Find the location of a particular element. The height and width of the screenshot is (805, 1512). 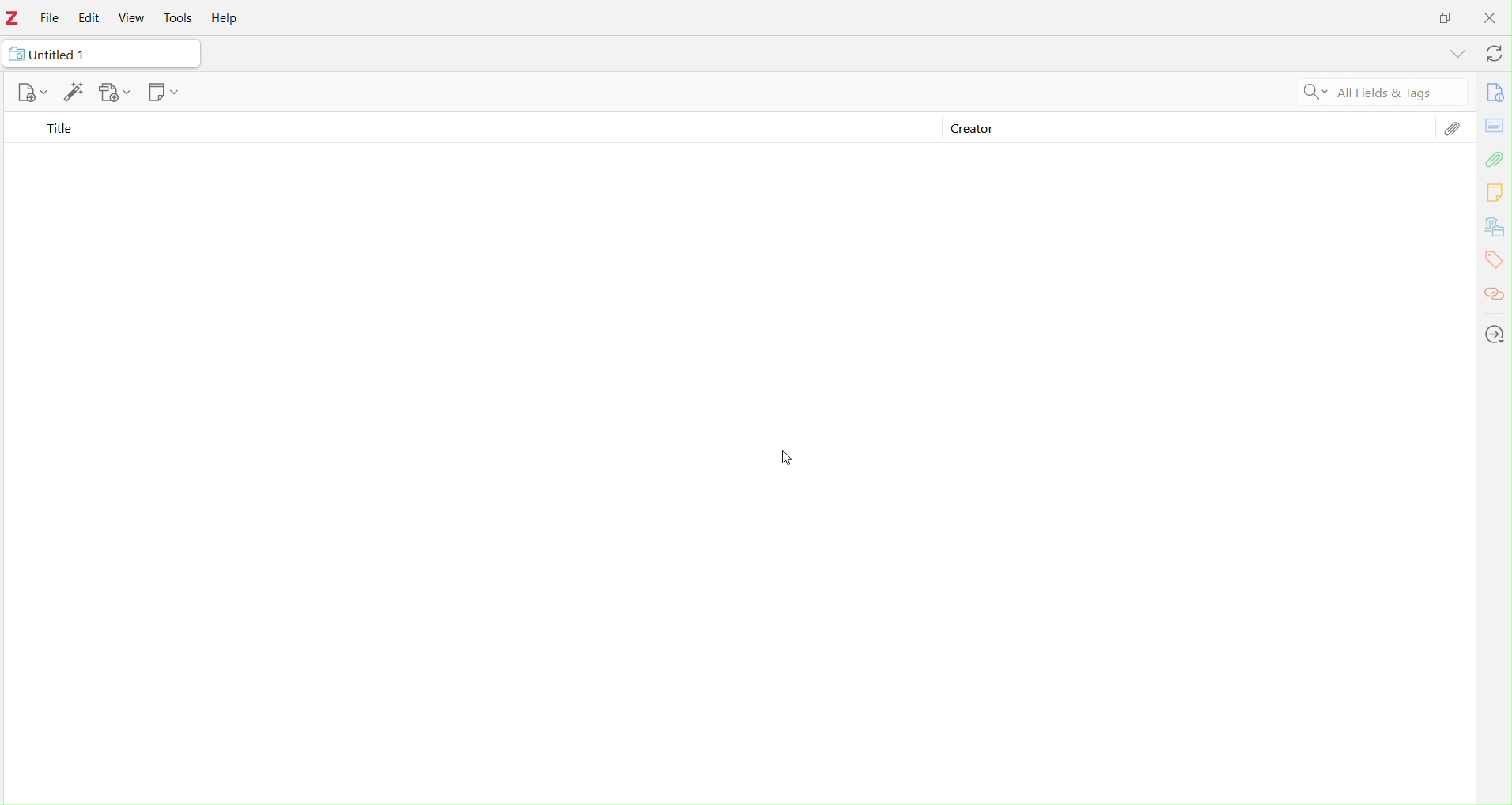

Creator is located at coordinates (970, 130).